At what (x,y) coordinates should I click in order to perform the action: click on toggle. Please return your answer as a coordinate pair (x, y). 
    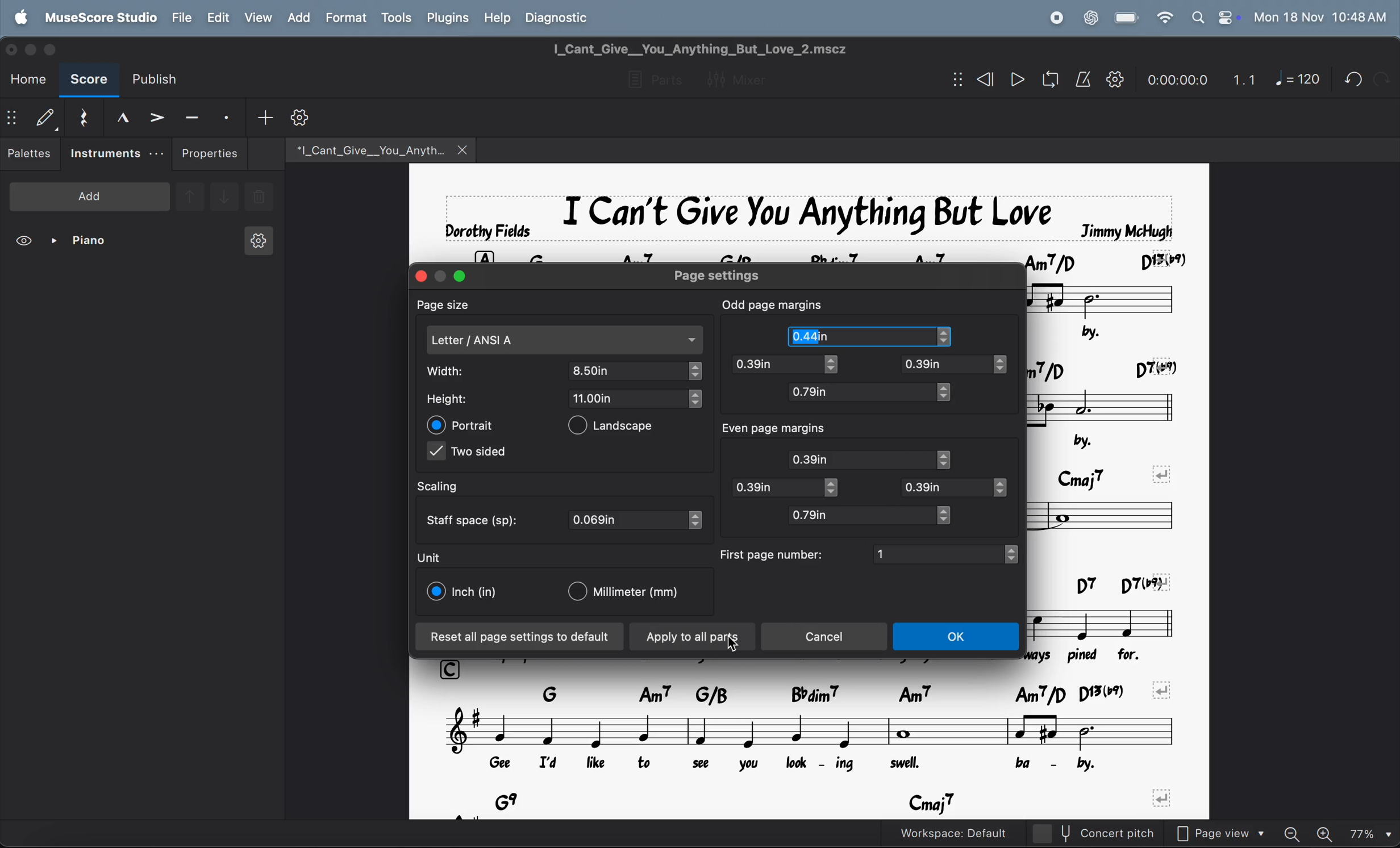
    Looking at the image, I should click on (952, 337).